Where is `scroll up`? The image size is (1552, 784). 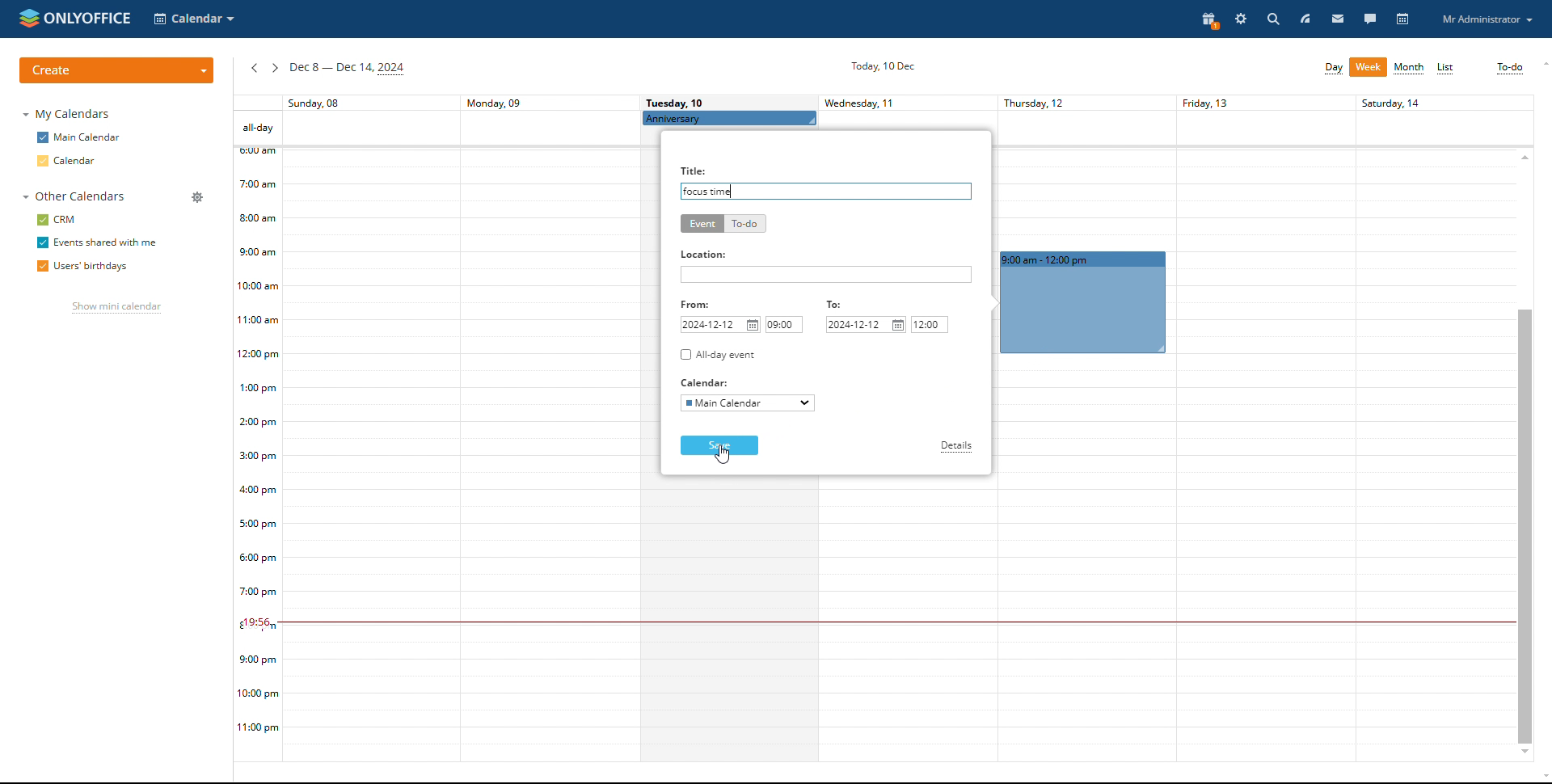
scroll up is located at coordinates (1525, 156).